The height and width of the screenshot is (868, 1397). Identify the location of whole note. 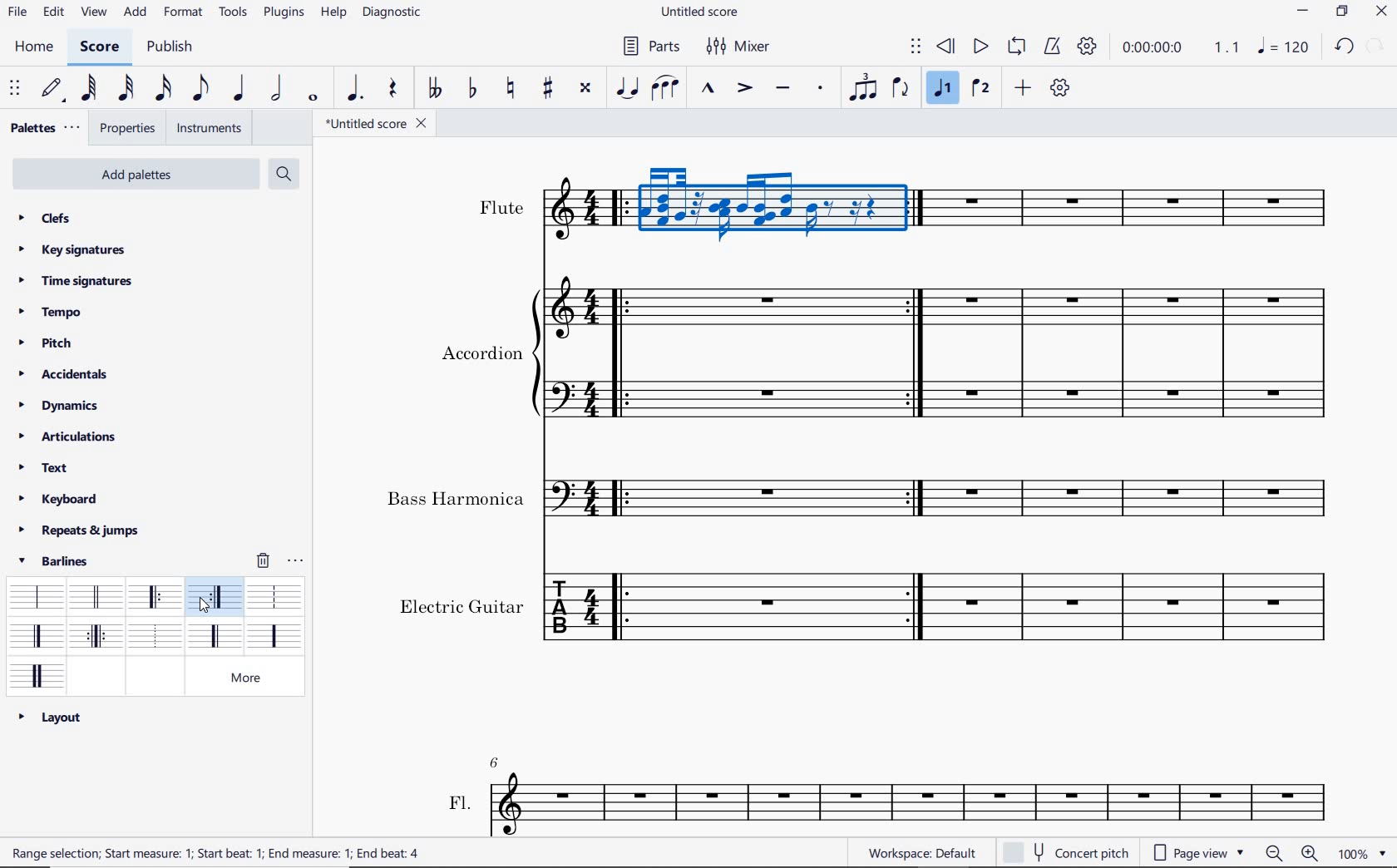
(313, 99).